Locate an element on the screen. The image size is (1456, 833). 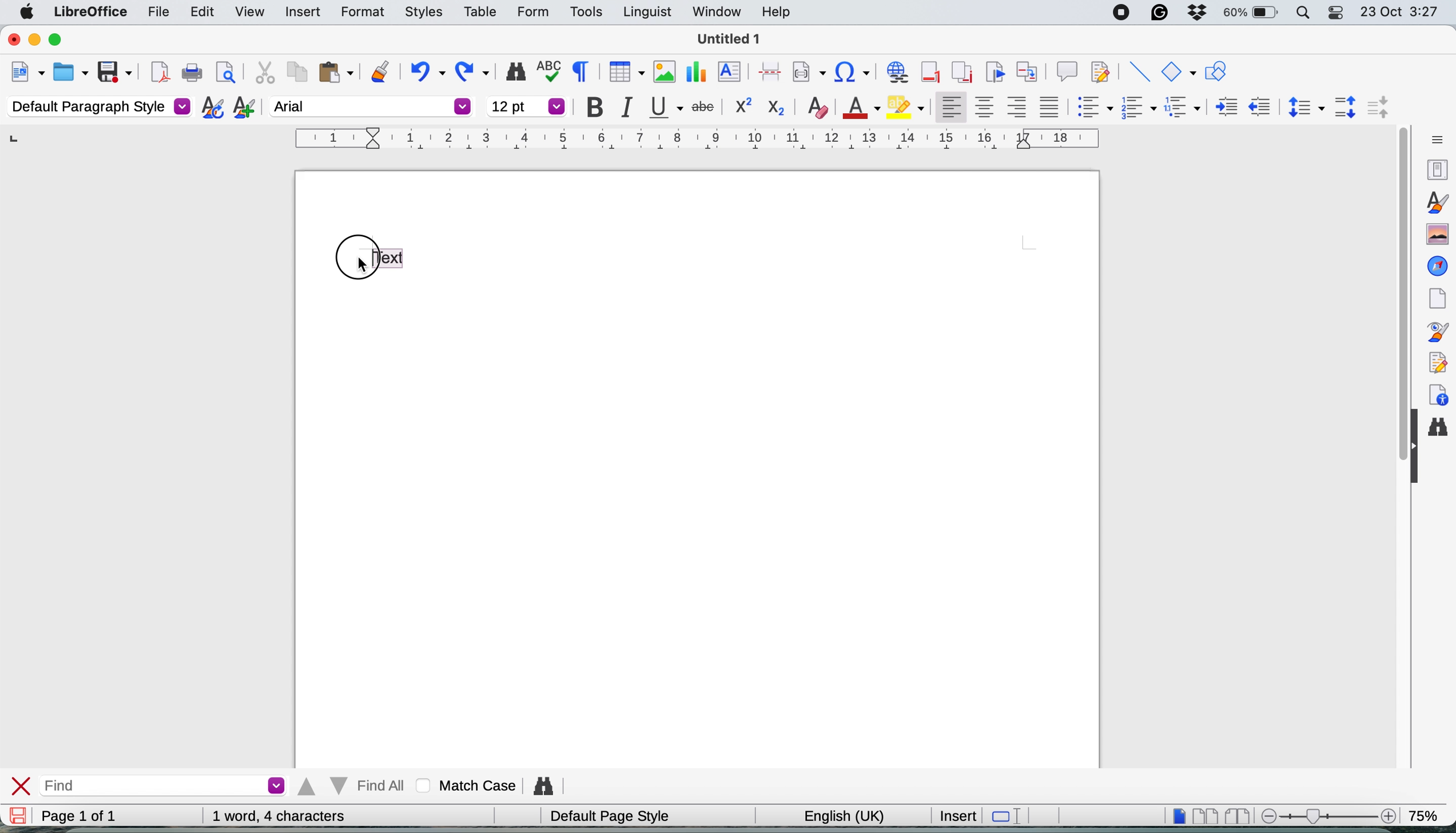
align center is located at coordinates (985, 108).